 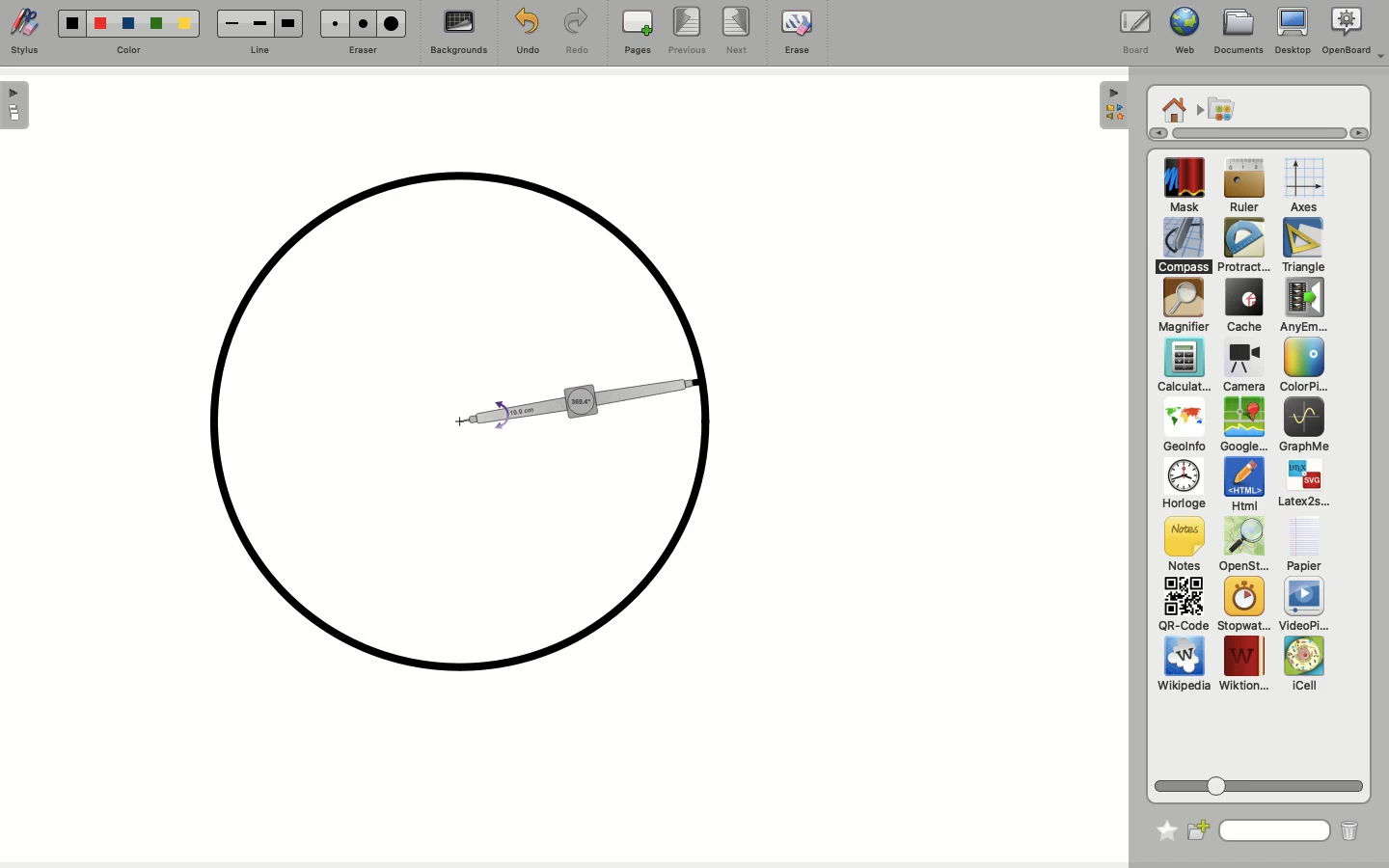 I want to click on OpenBoard, so click(x=1353, y=32).